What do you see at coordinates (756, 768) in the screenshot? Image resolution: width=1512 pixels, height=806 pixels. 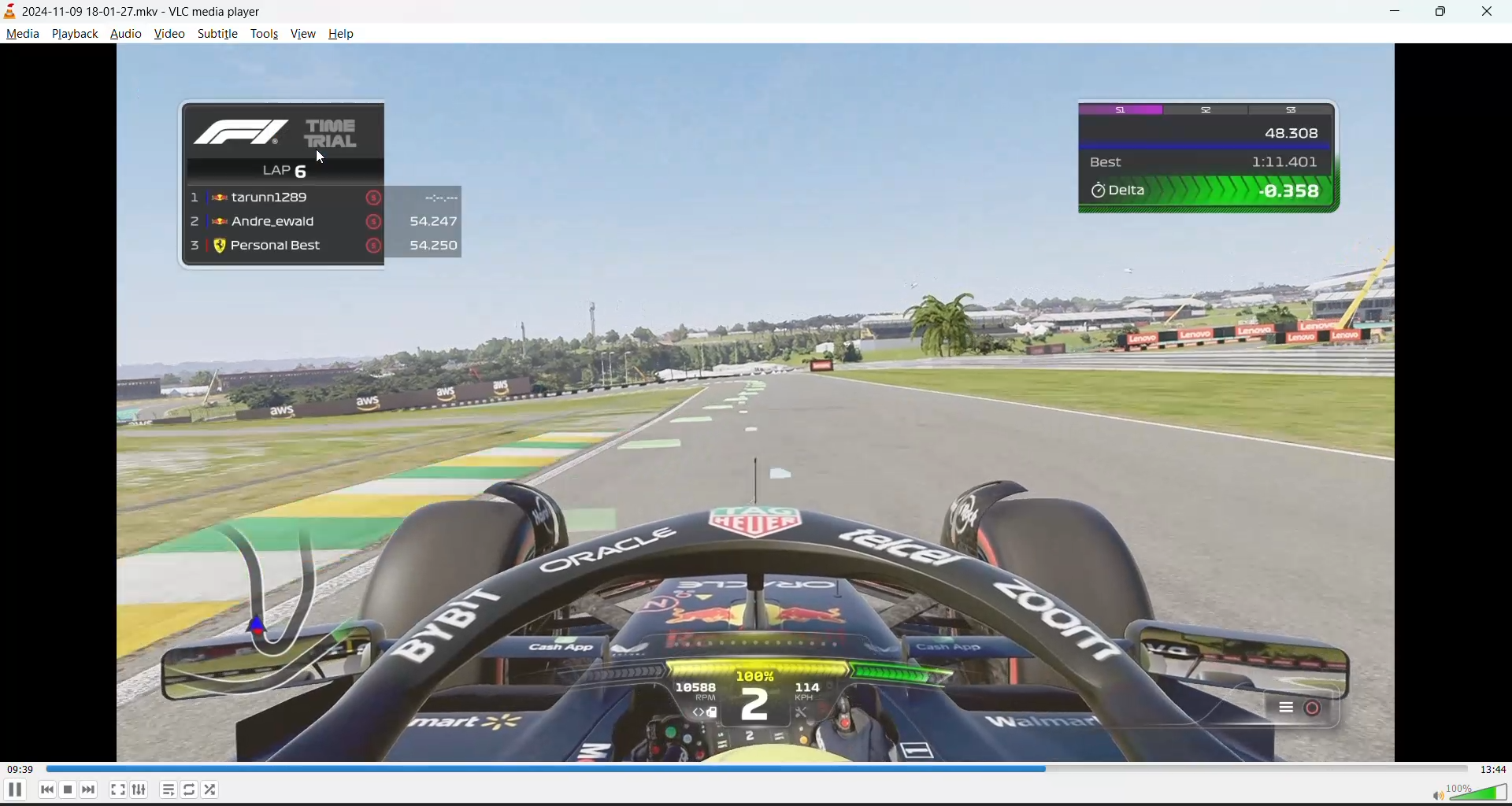 I see `track slider` at bounding box center [756, 768].